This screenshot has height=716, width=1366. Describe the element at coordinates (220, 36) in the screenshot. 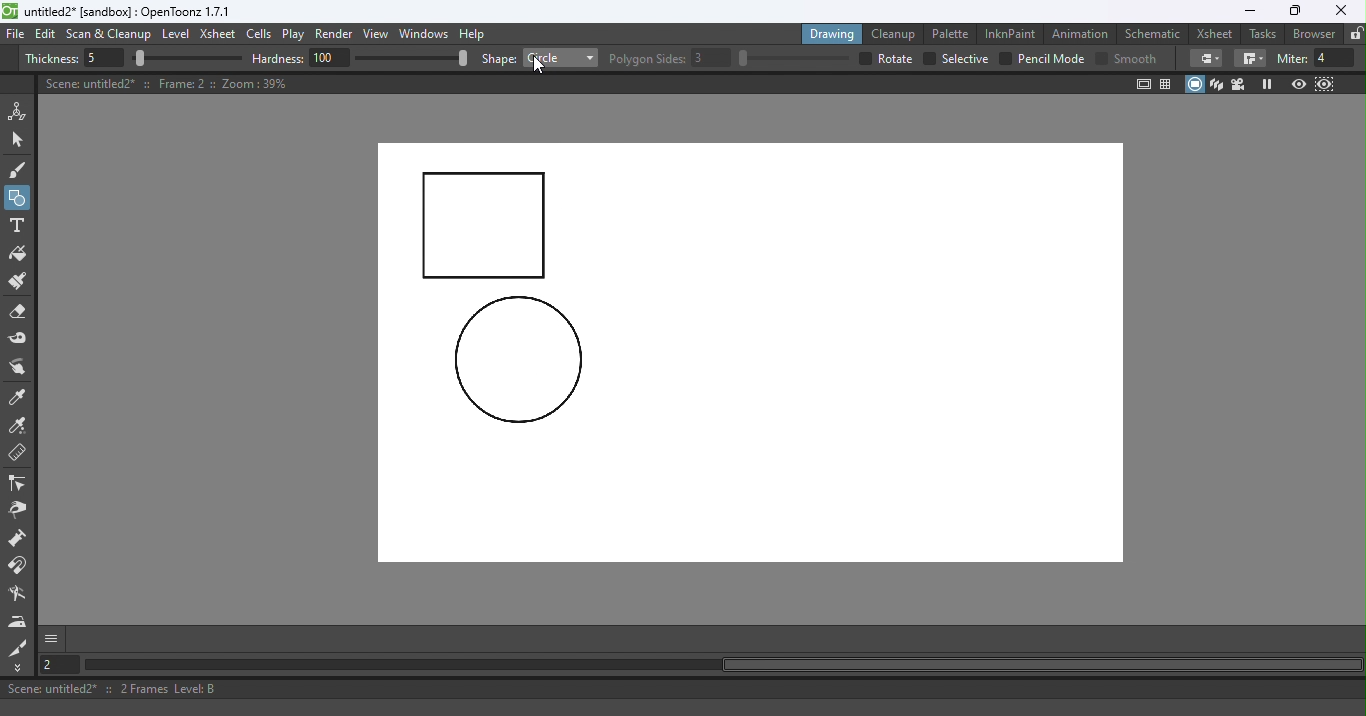

I see `Xsheet` at that location.